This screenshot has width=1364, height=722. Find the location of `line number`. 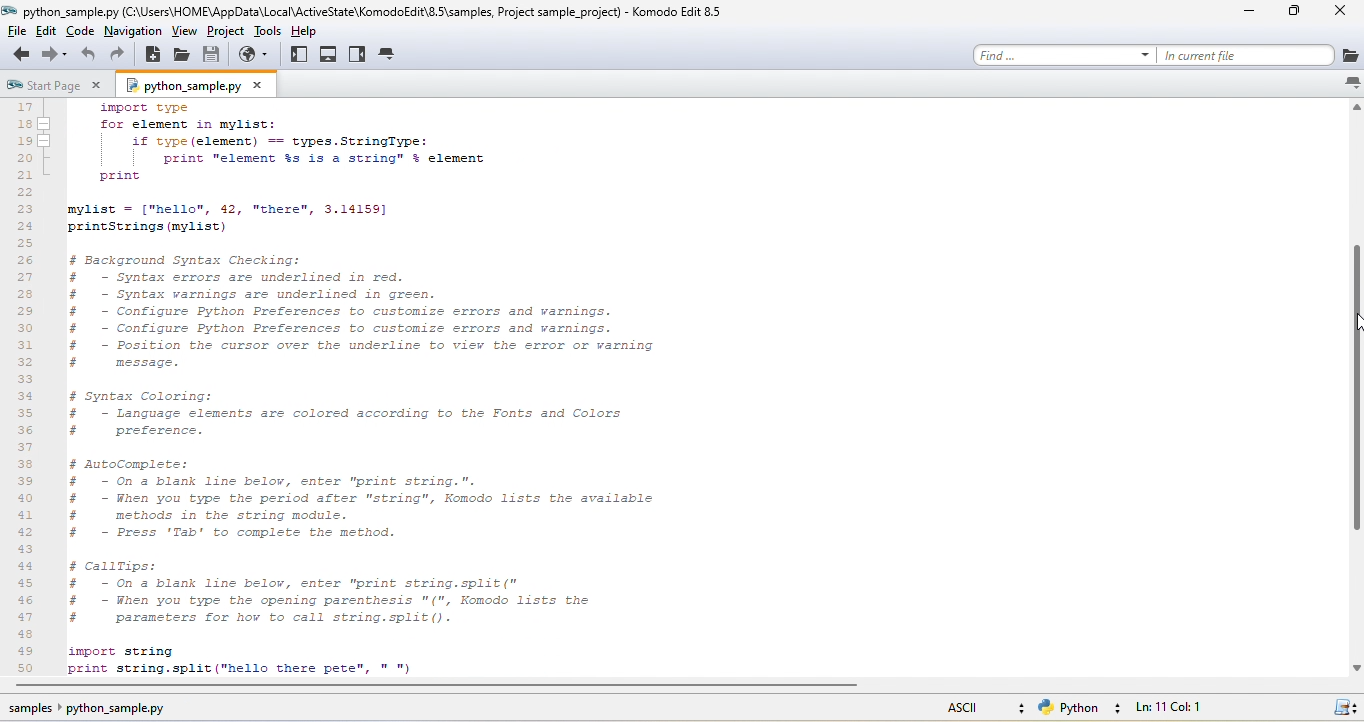

line number is located at coordinates (28, 387).